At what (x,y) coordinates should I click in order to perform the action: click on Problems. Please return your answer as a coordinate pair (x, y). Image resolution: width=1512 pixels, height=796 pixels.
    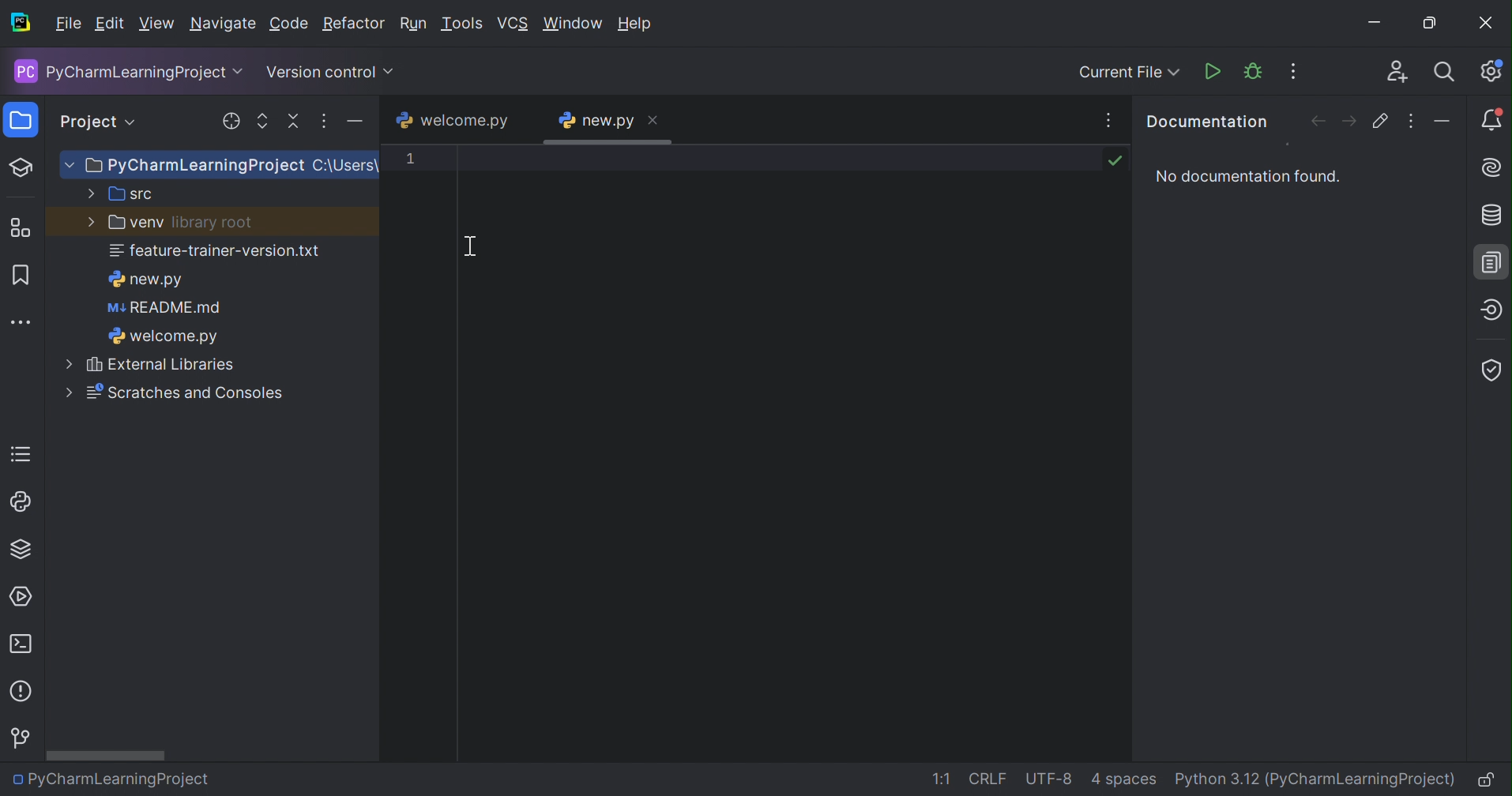
    Looking at the image, I should click on (23, 694).